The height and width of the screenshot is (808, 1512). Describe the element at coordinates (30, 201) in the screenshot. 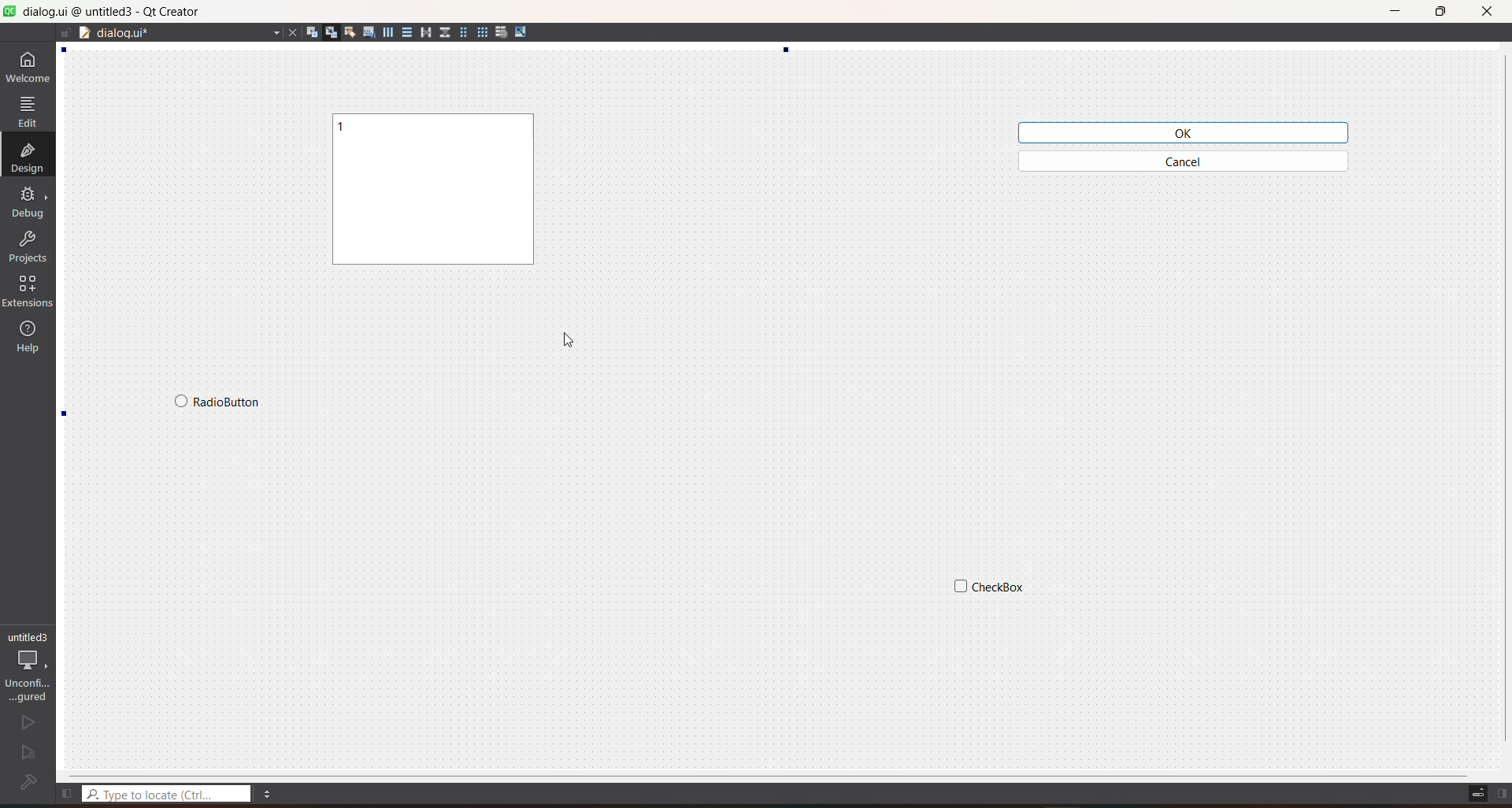

I see `debug` at that location.